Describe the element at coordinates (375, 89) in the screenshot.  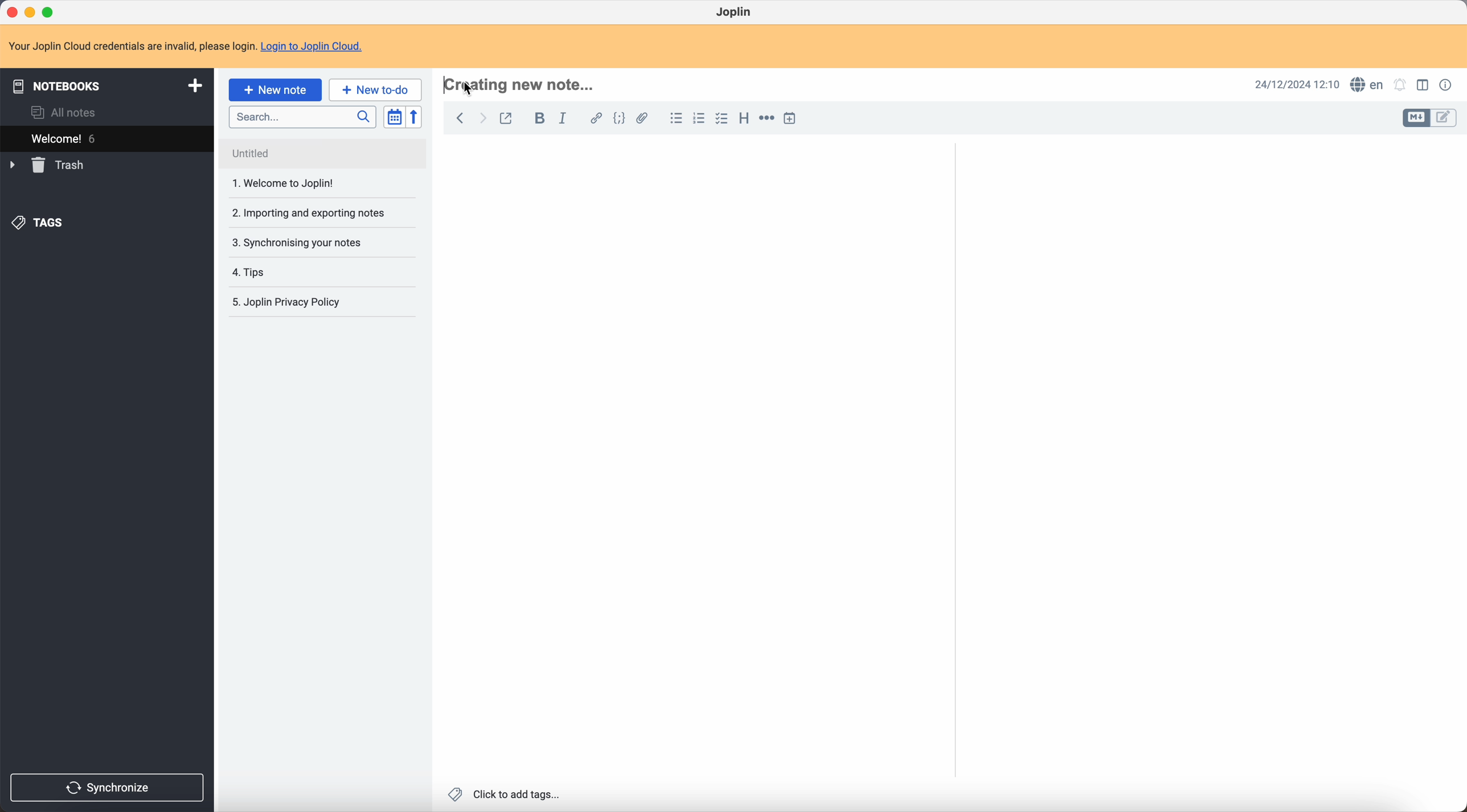
I see `new to-do` at that location.